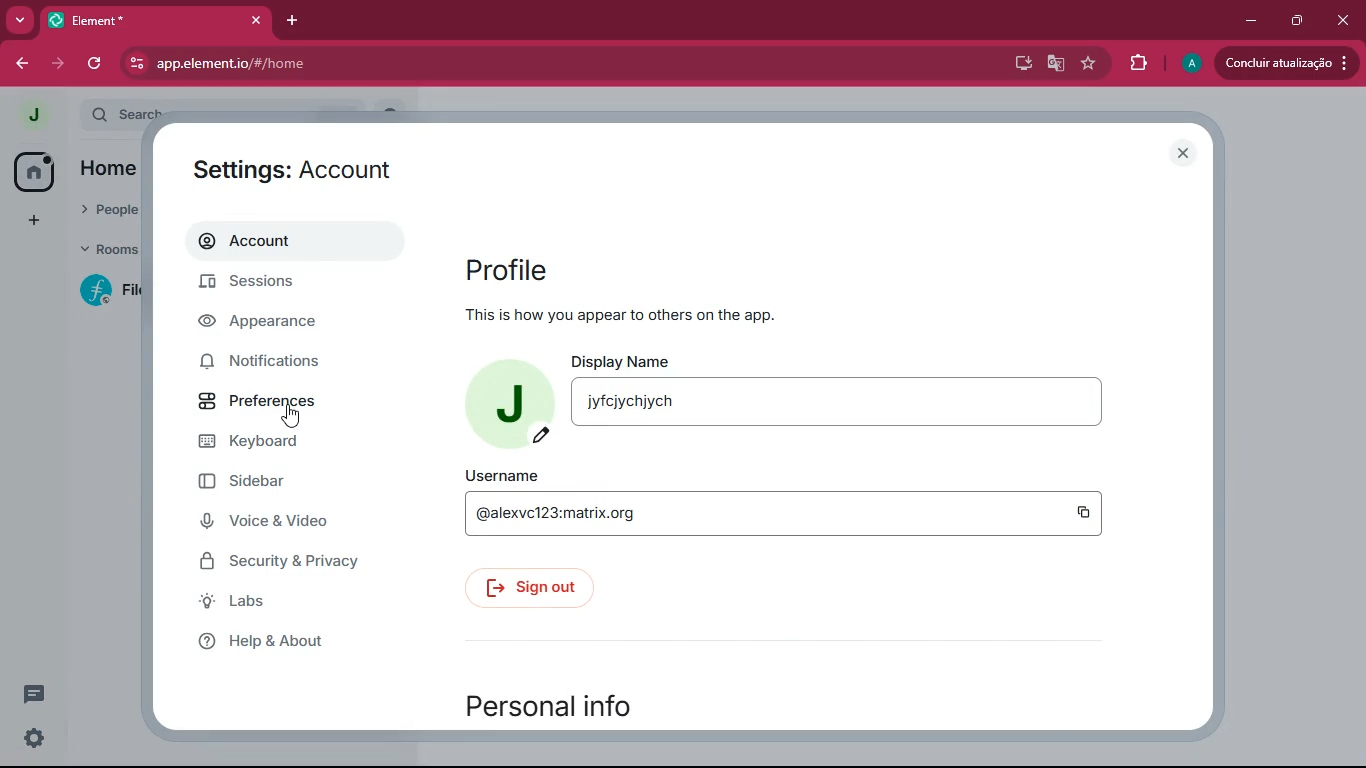 This screenshot has height=768, width=1366. Describe the element at coordinates (1080, 513) in the screenshot. I see `copy` at that location.